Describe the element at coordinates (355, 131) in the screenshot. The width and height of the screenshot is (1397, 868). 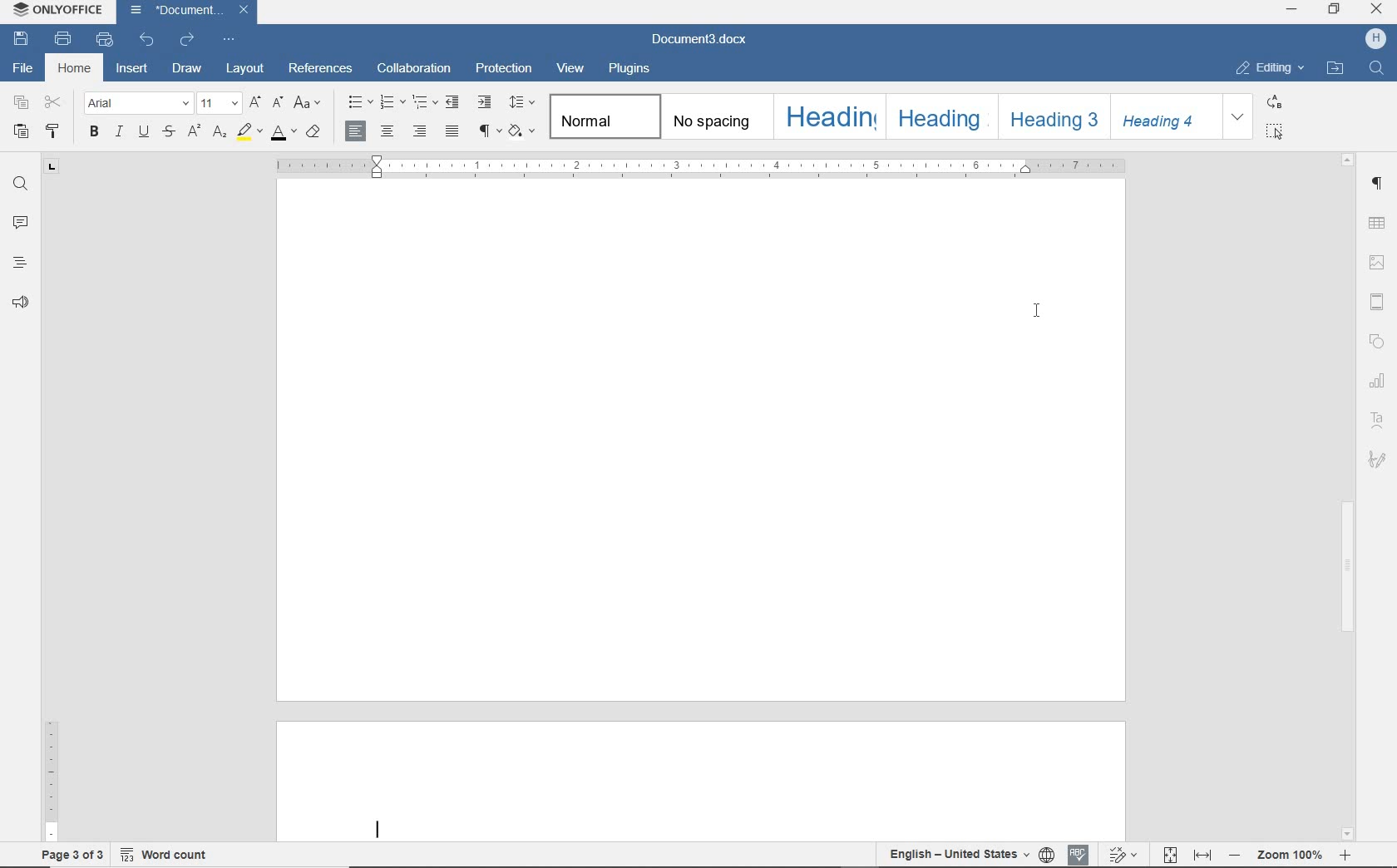
I see `ALIGN LEFT` at that location.